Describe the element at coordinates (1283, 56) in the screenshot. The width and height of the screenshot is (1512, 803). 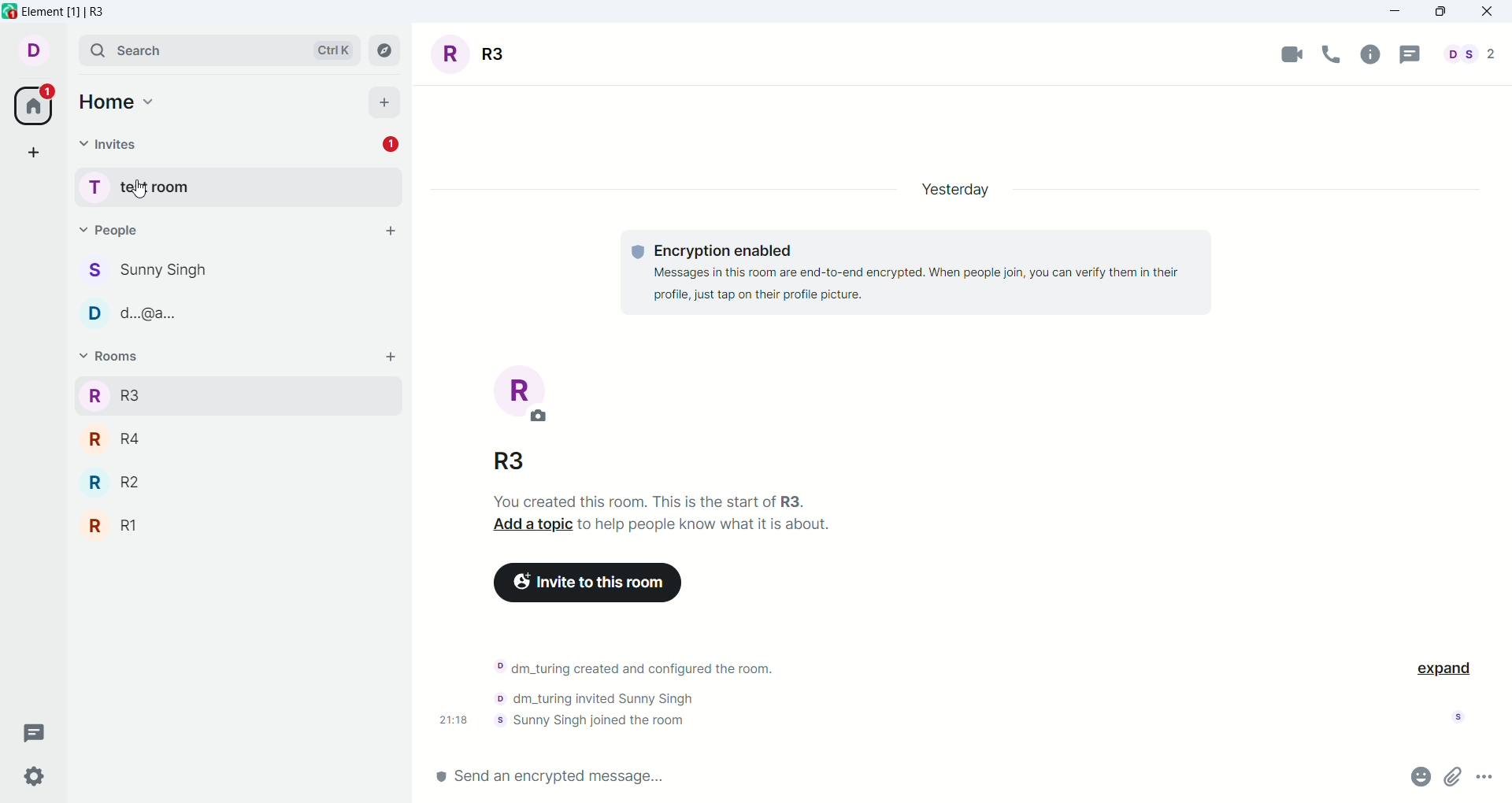
I see `video call` at that location.